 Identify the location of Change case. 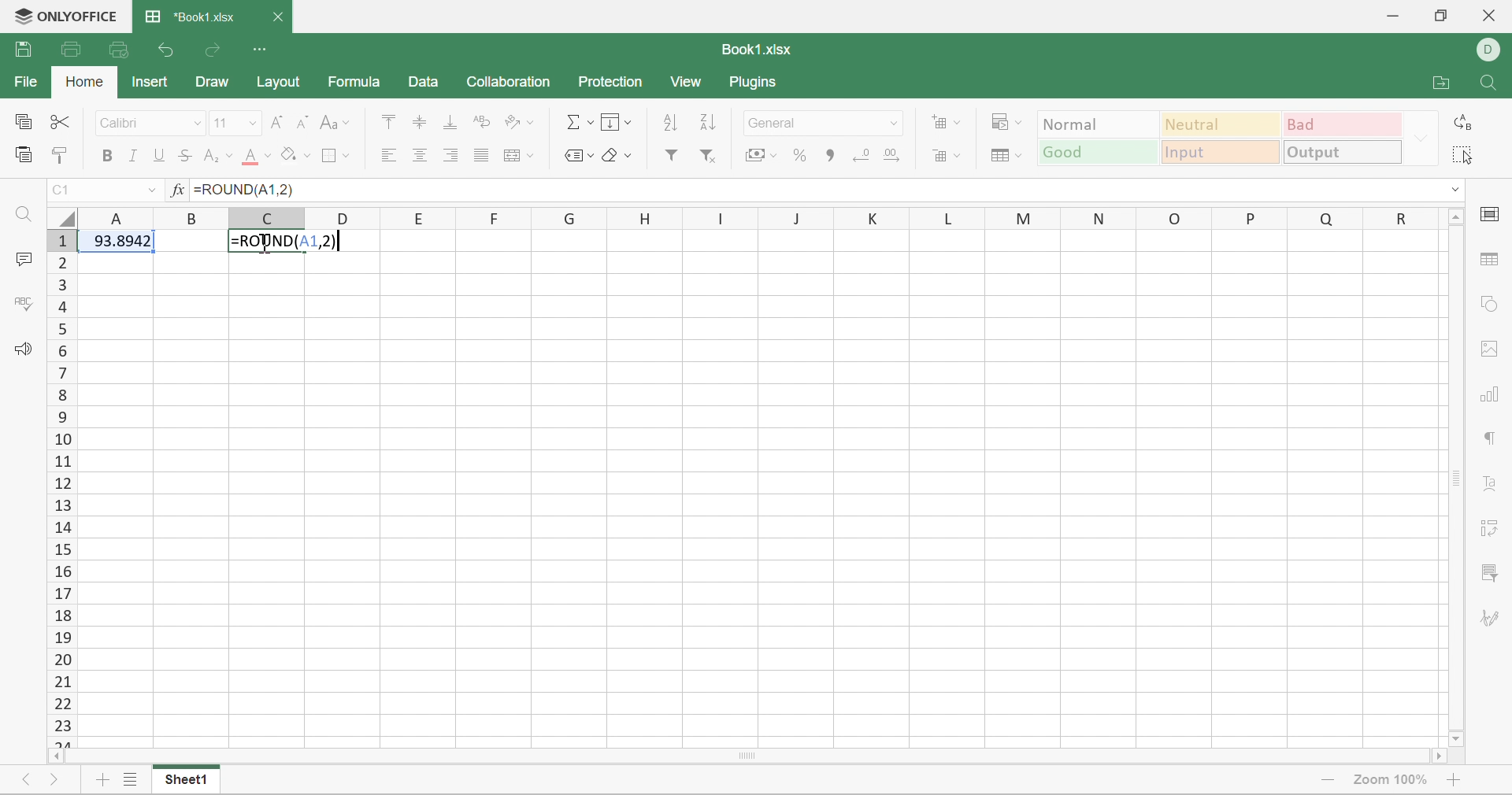
(332, 120).